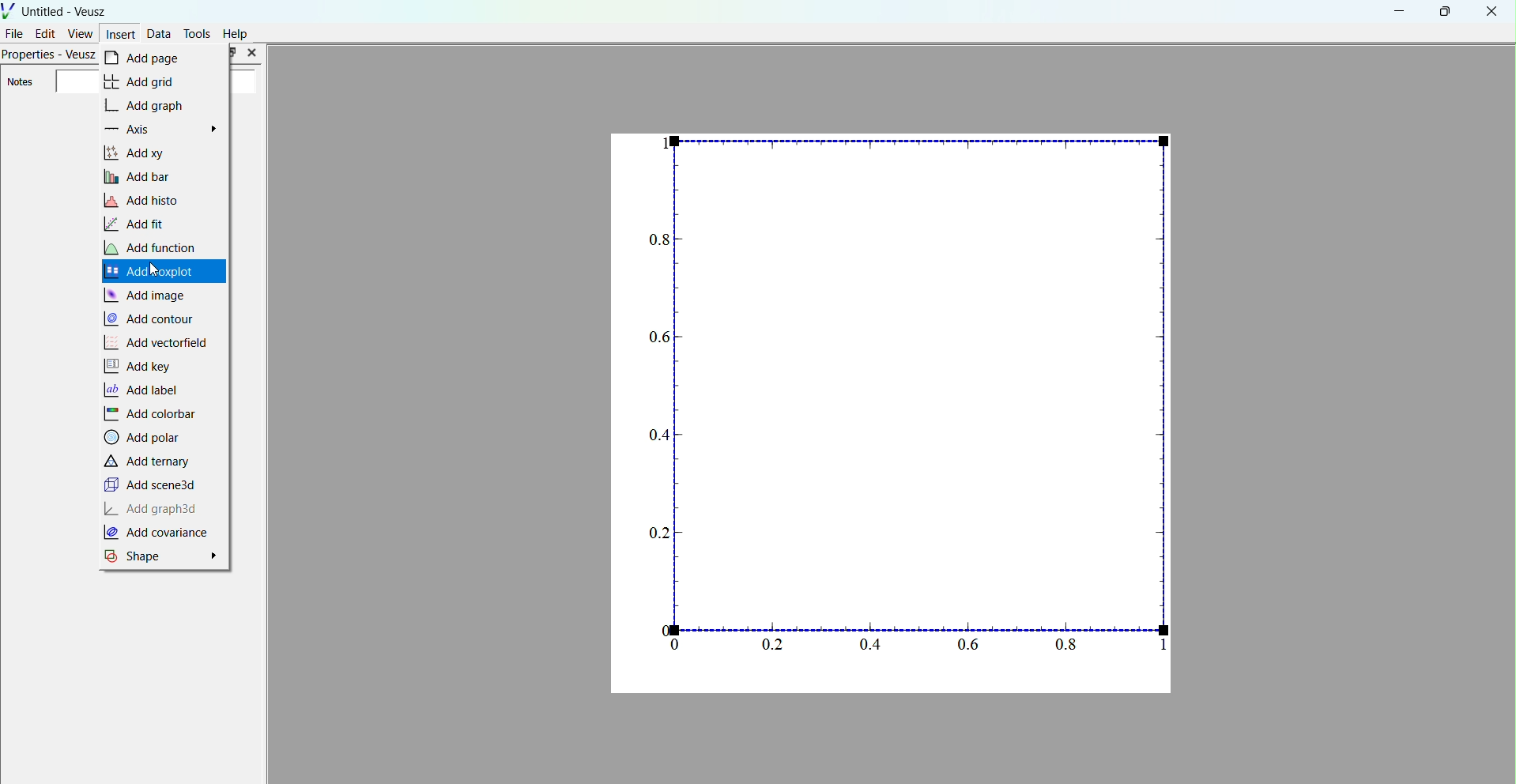 This screenshot has height=784, width=1516. I want to click on ‘Add scene3d, so click(152, 484).